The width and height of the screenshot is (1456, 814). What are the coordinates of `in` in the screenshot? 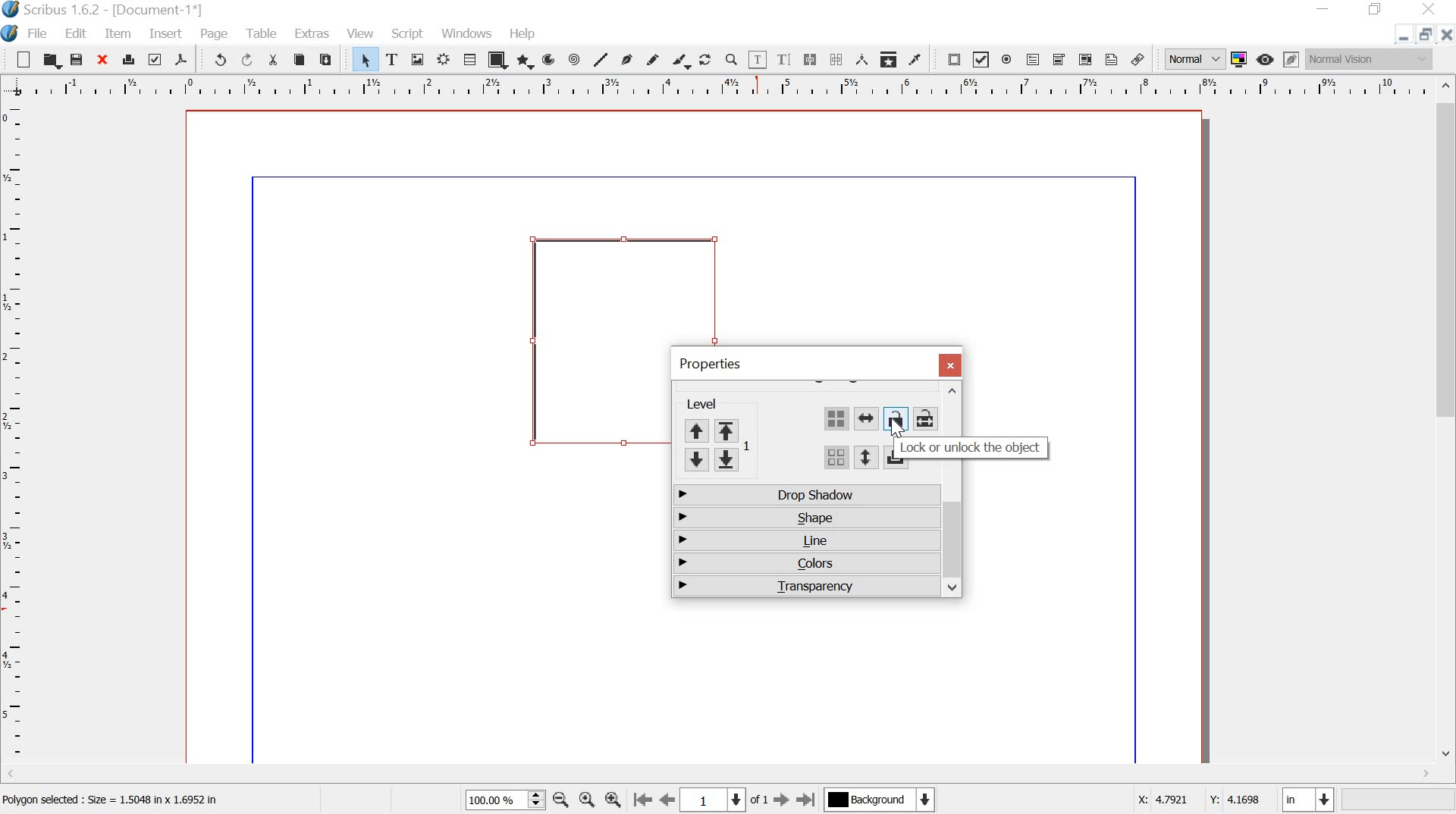 It's located at (1306, 799).